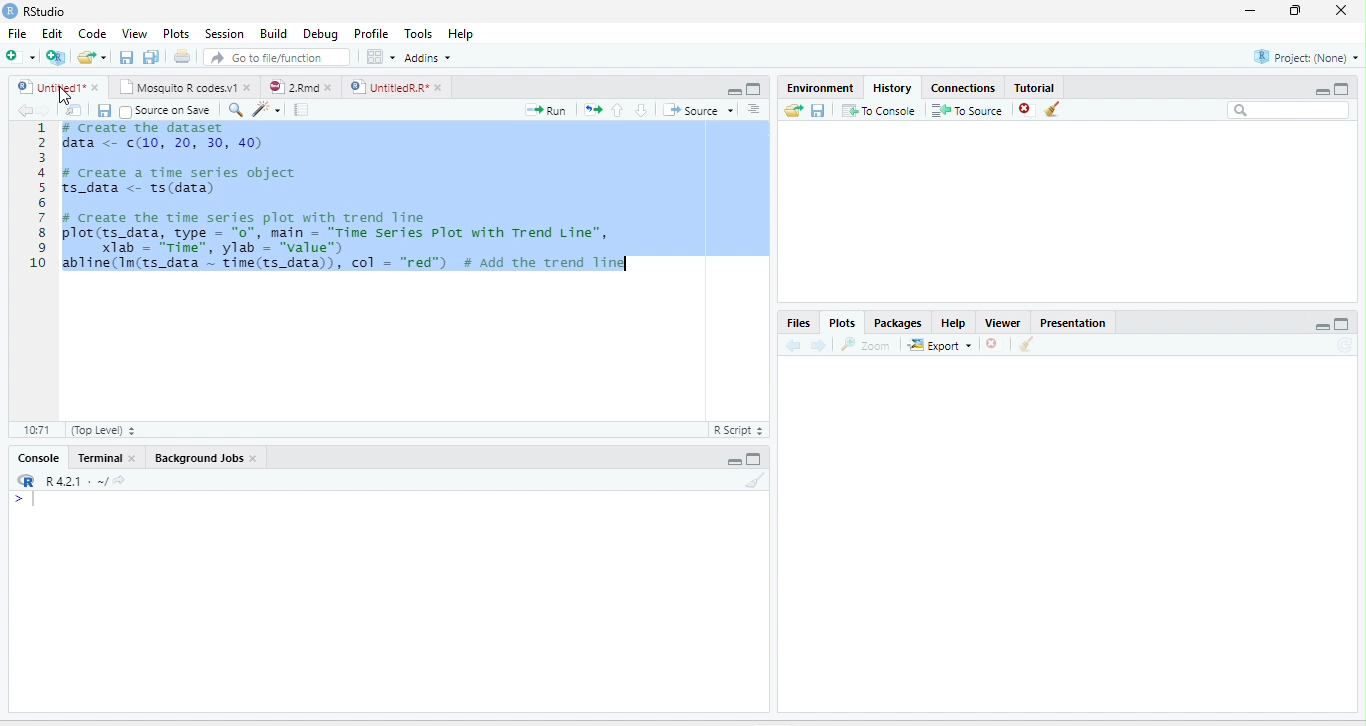  I want to click on Save current document, so click(104, 111).